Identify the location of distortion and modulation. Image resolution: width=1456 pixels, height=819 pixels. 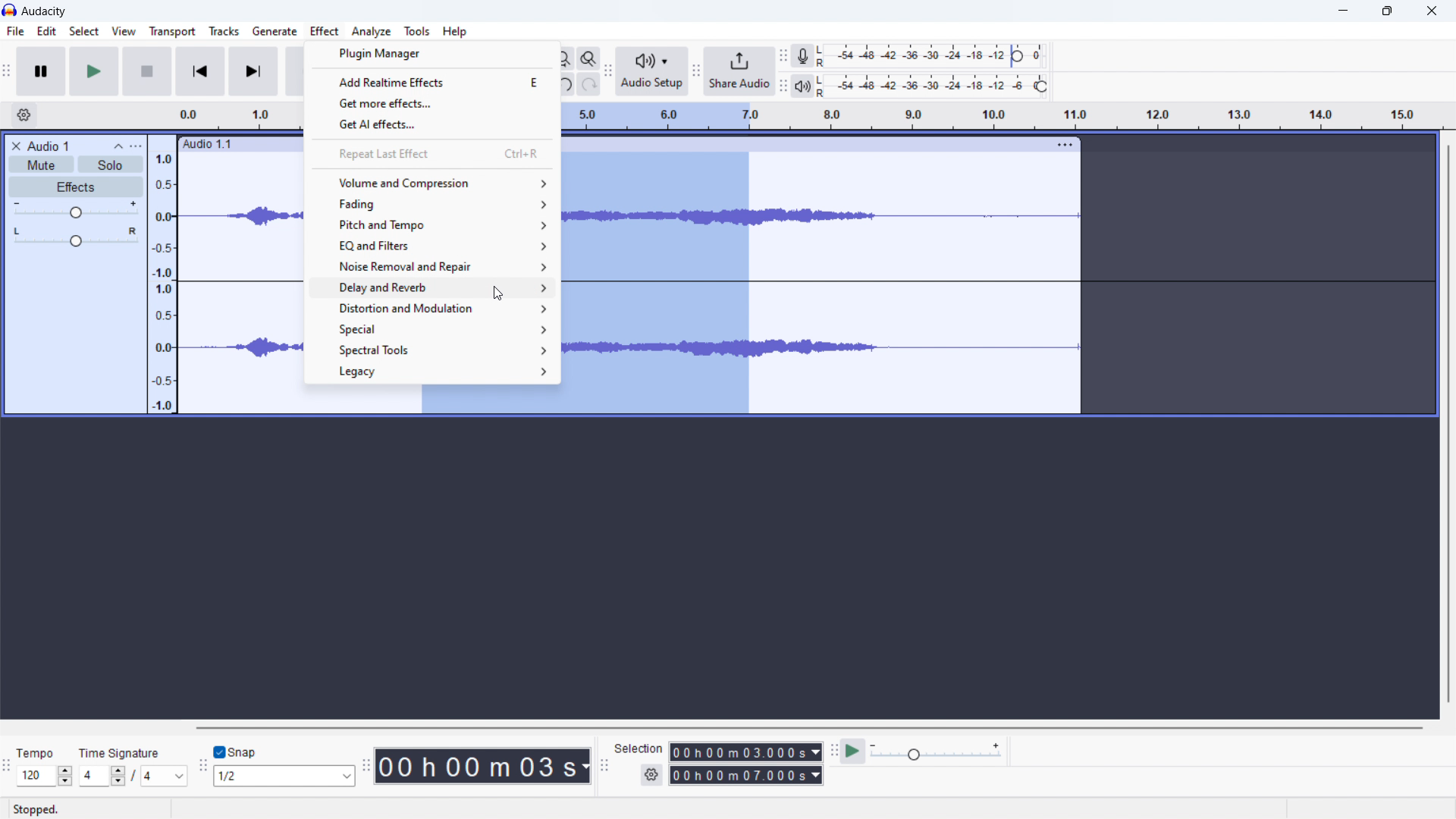
(432, 308).